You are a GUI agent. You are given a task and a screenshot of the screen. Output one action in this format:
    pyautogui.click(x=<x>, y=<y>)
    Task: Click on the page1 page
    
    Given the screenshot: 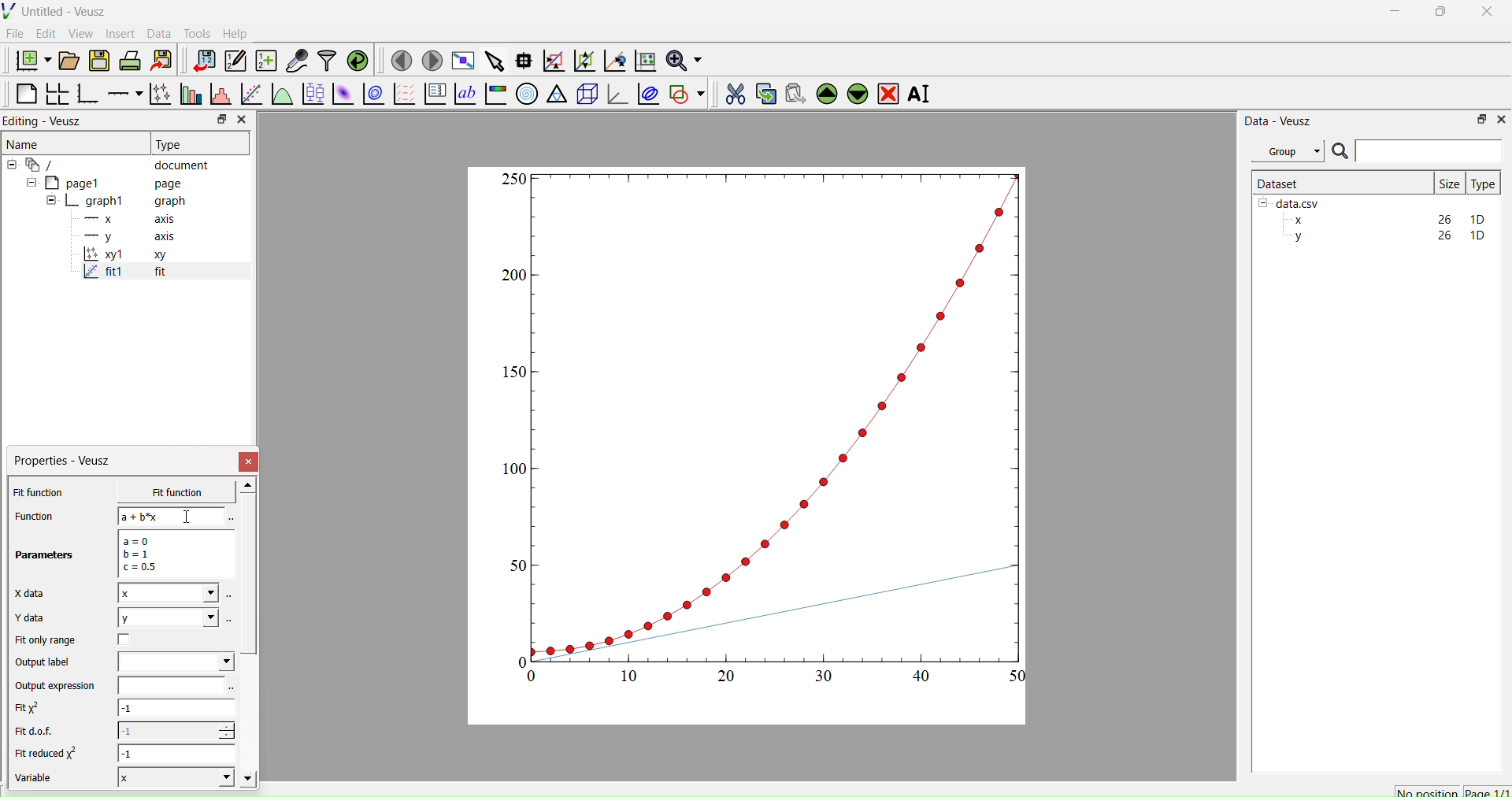 What is the action you would take?
    pyautogui.click(x=105, y=182)
    